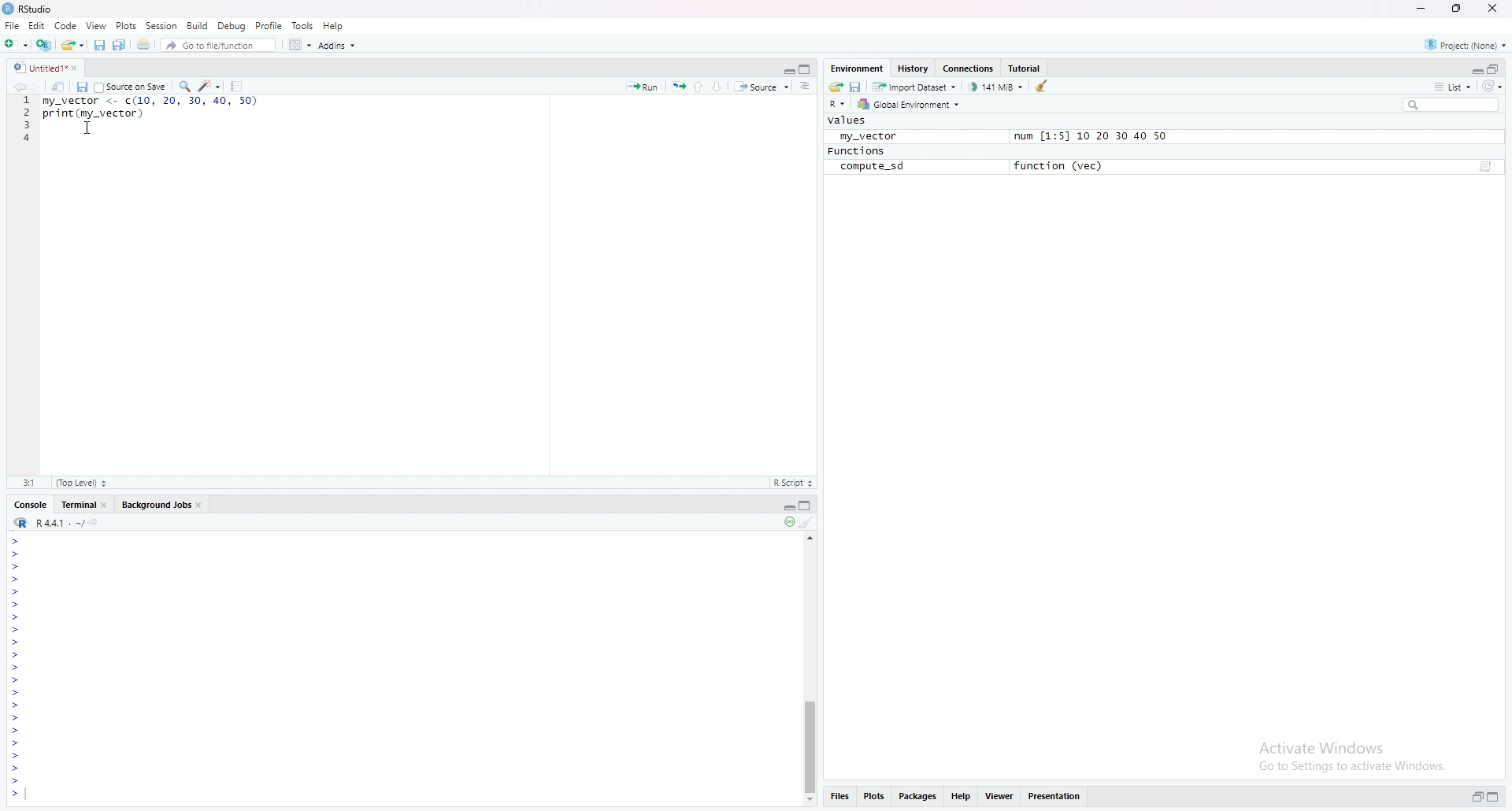 The image size is (1512, 811). I want to click on Connections, so click(969, 69).